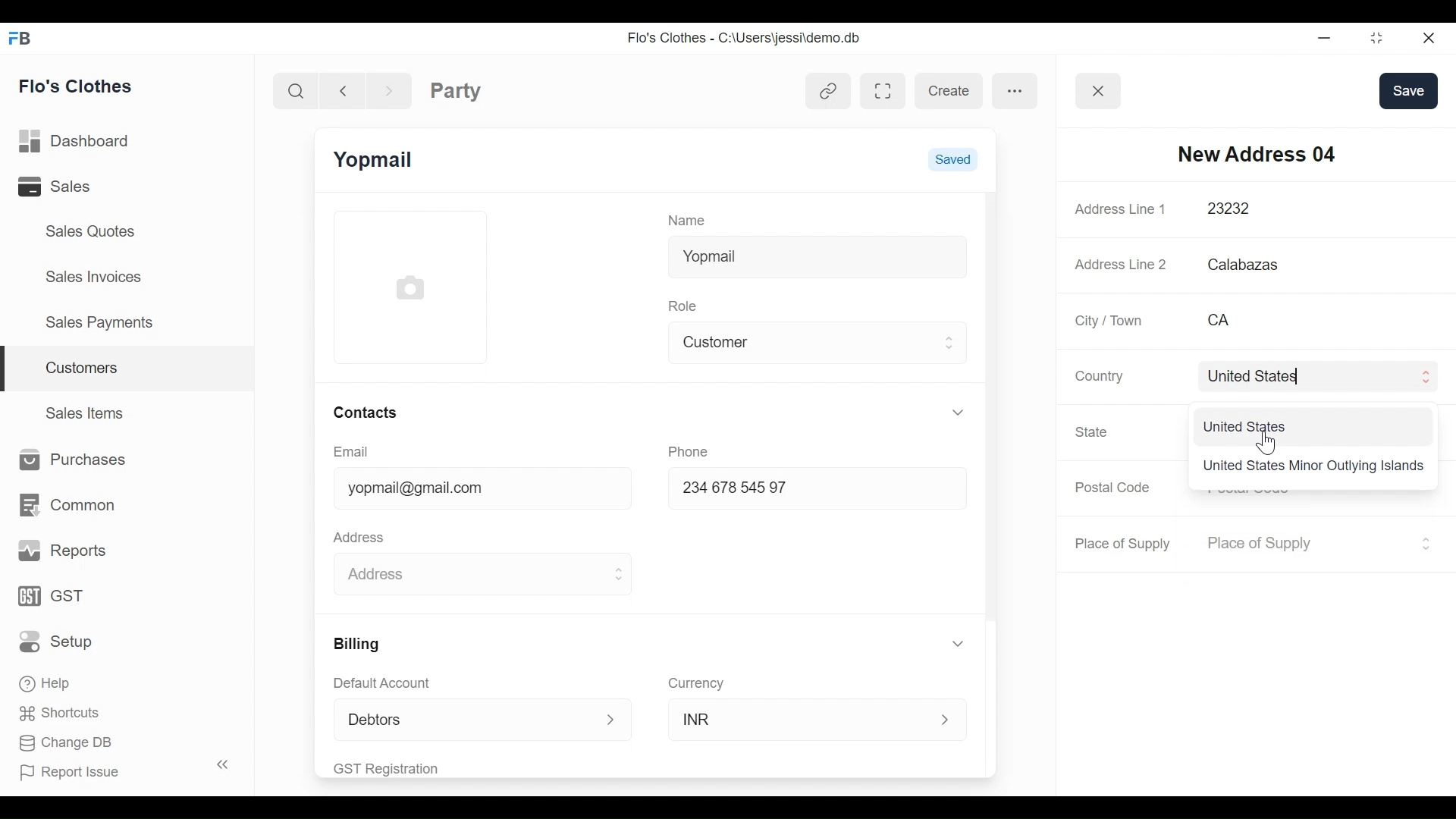 This screenshot has height=819, width=1456. Describe the element at coordinates (697, 682) in the screenshot. I see `Currency` at that location.